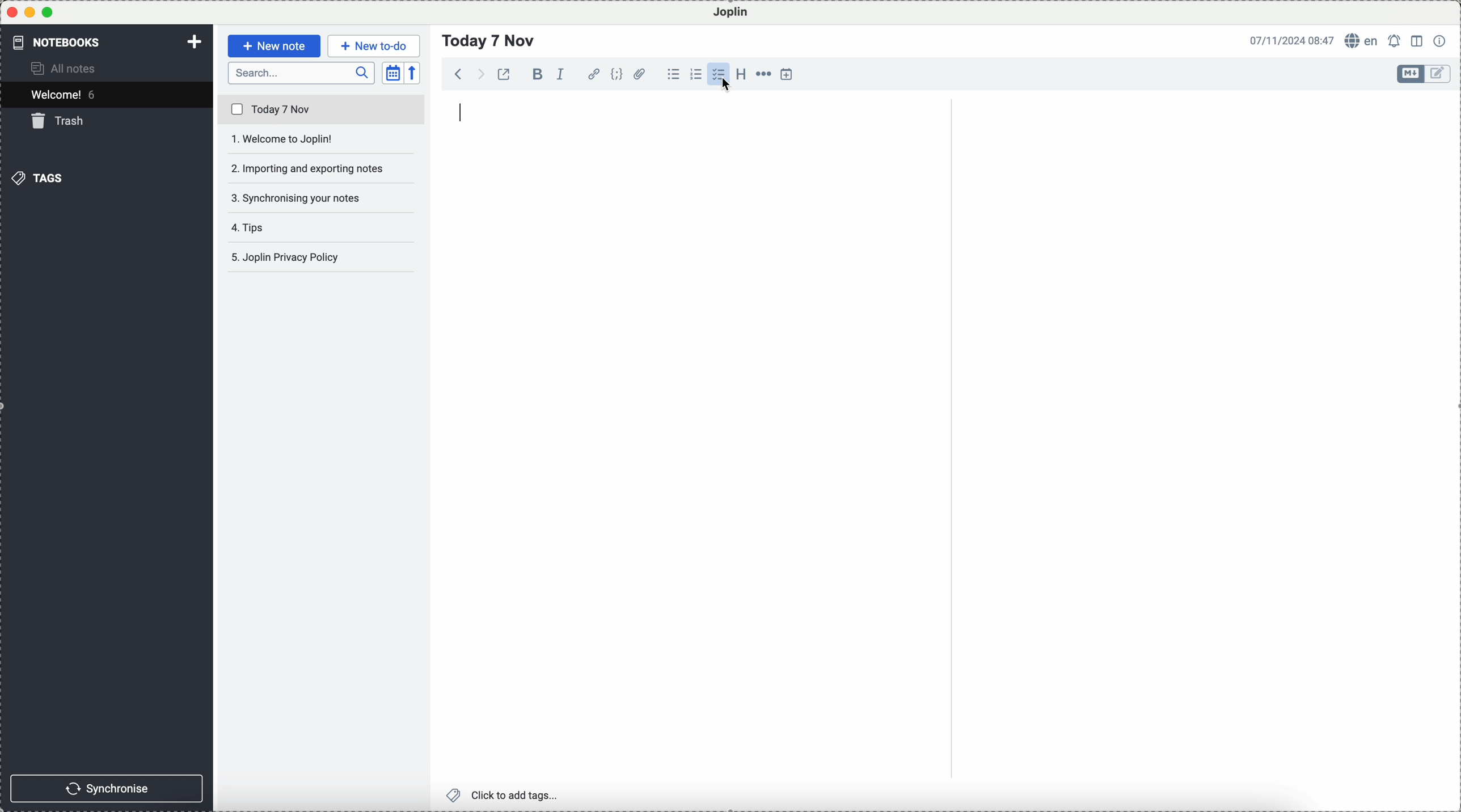 This screenshot has width=1461, height=812. Describe the element at coordinates (106, 789) in the screenshot. I see `synchronise button` at that location.